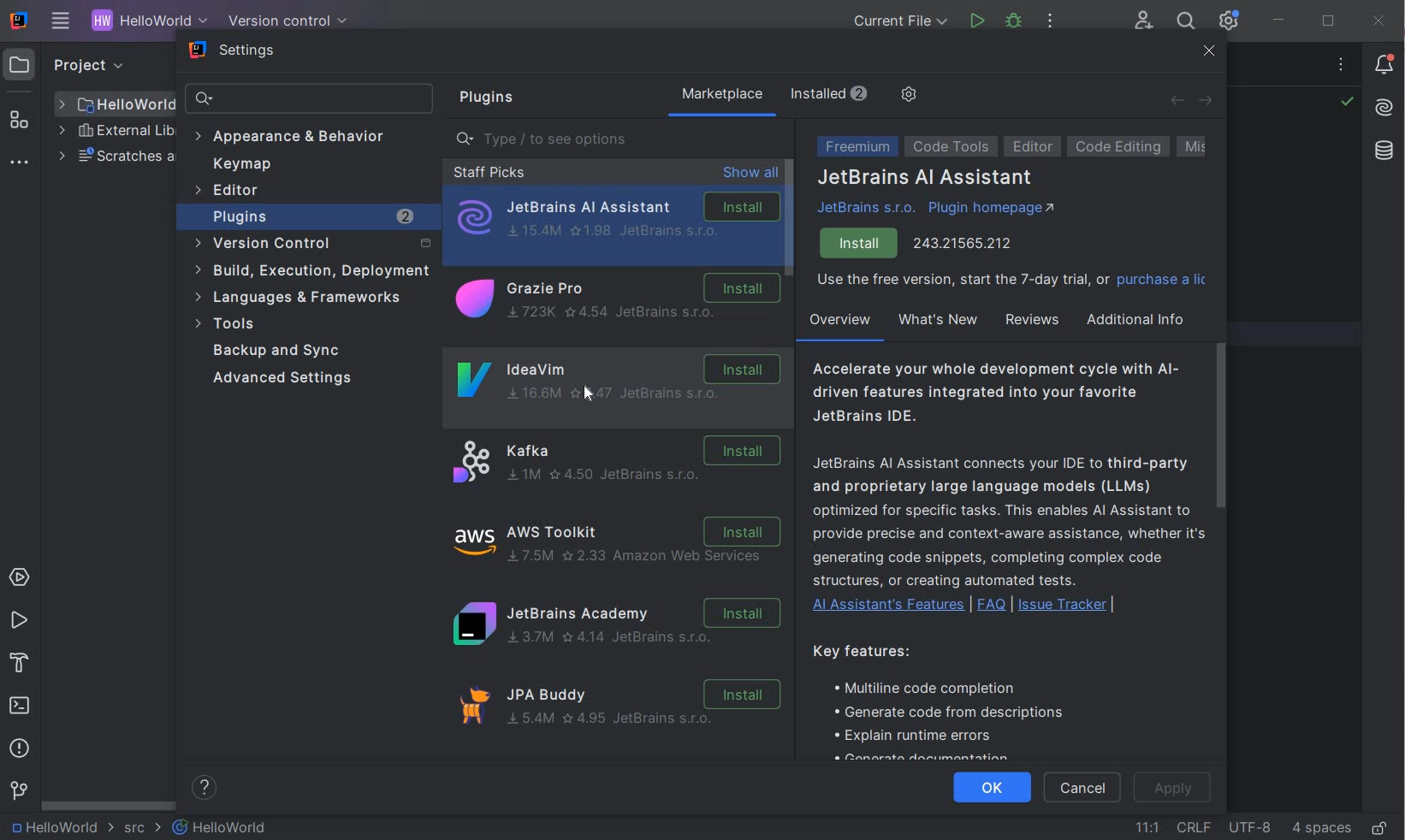 This screenshot has height=840, width=1405. What do you see at coordinates (614, 462) in the screenshot?
I see `Kafka Installation` at bounding box center [614, 462].